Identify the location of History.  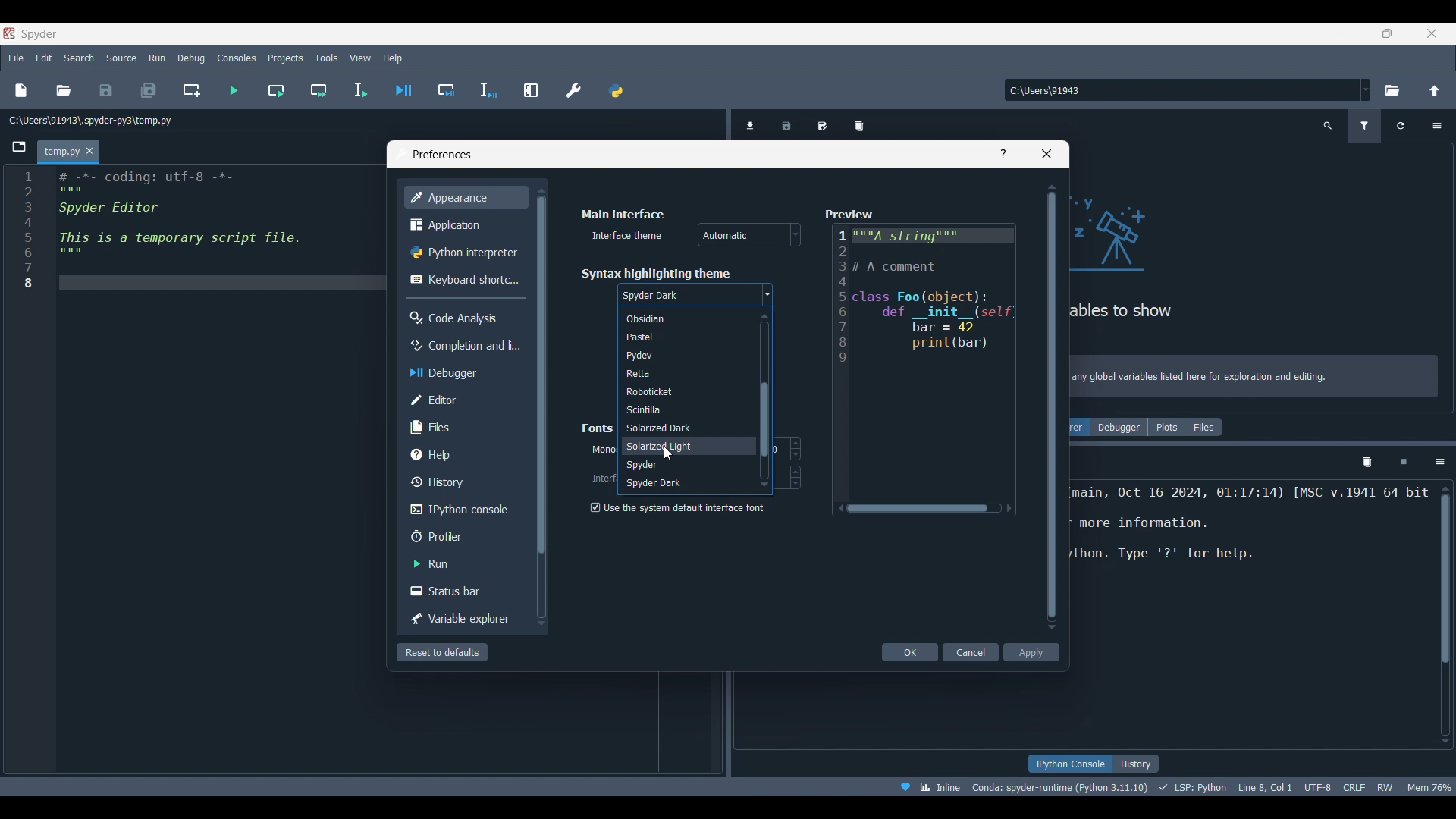
(464, 482).